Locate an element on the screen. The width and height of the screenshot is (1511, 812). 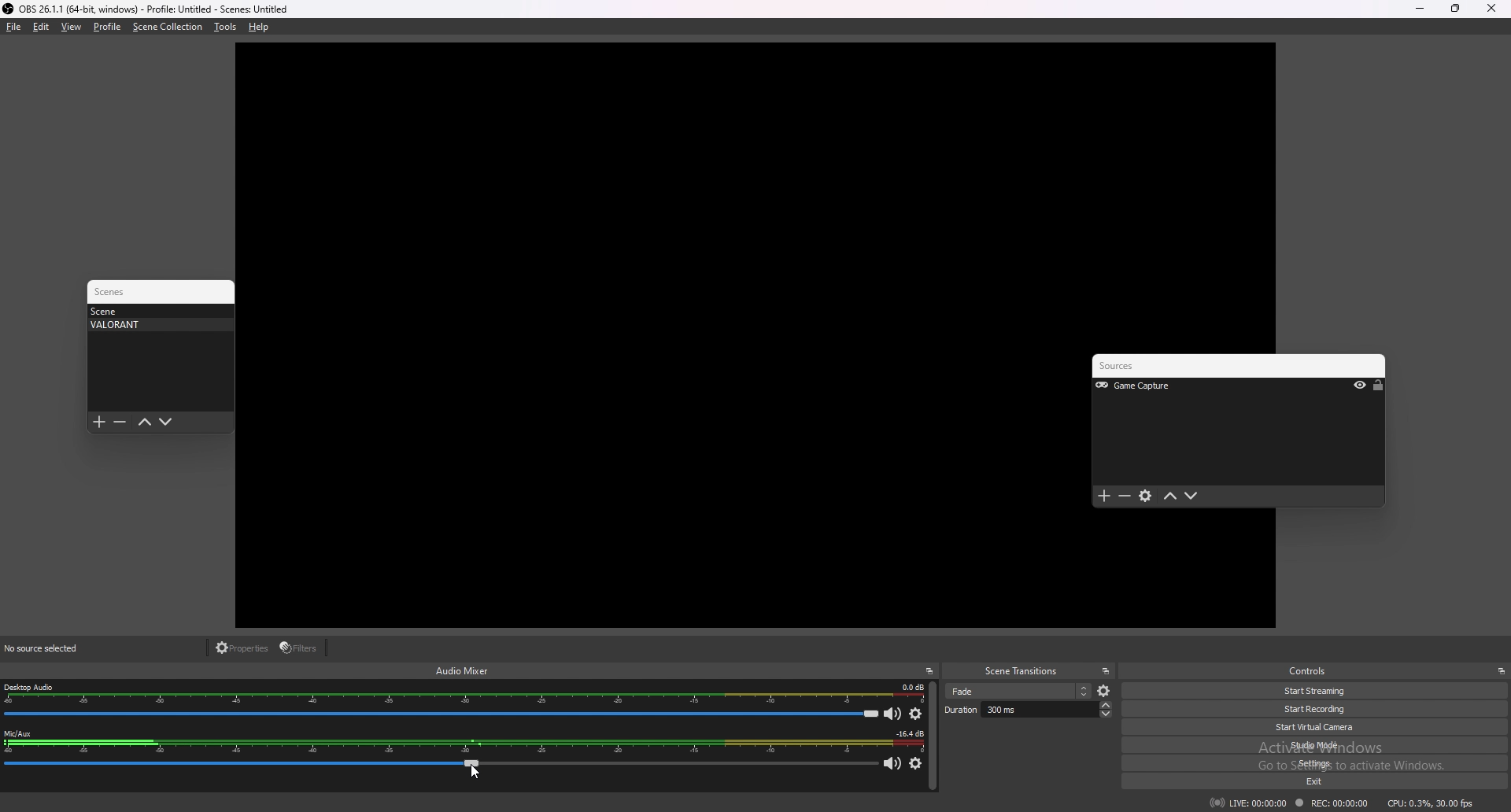
mic/aux is located at coordinates (463, 743).